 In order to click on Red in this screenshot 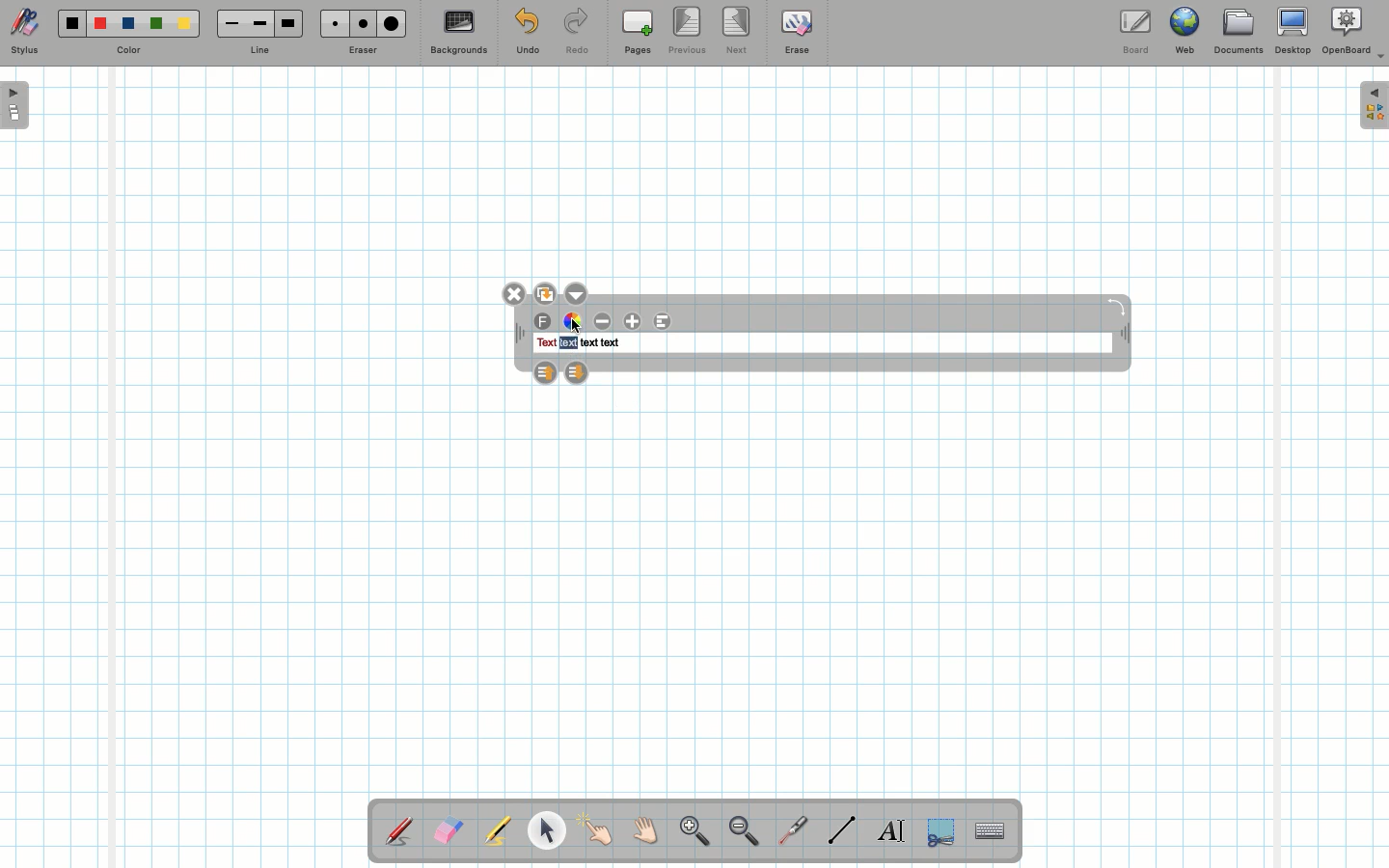, I will do `click(101, 24)`.